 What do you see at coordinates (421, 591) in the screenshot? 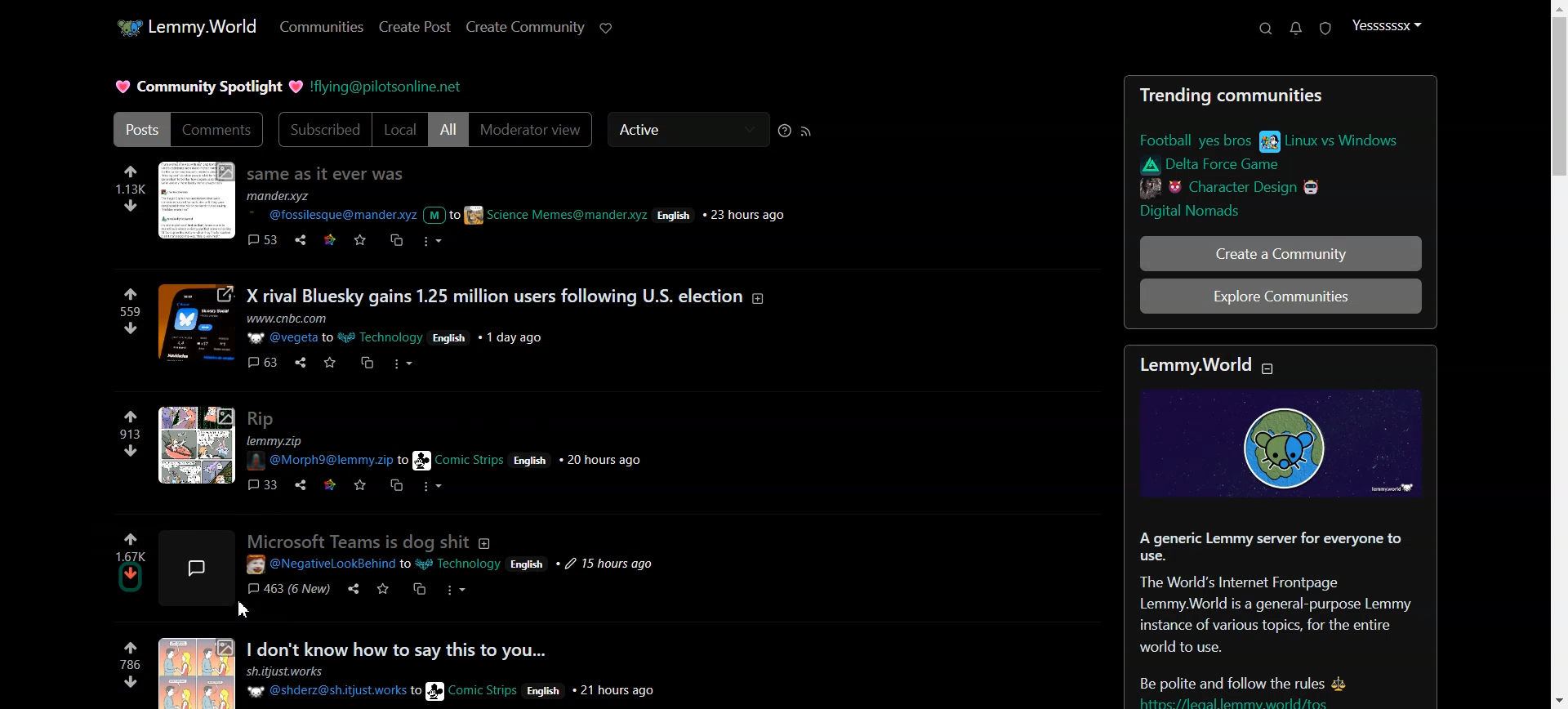
I see `cs` at bounding box center [421, 591].